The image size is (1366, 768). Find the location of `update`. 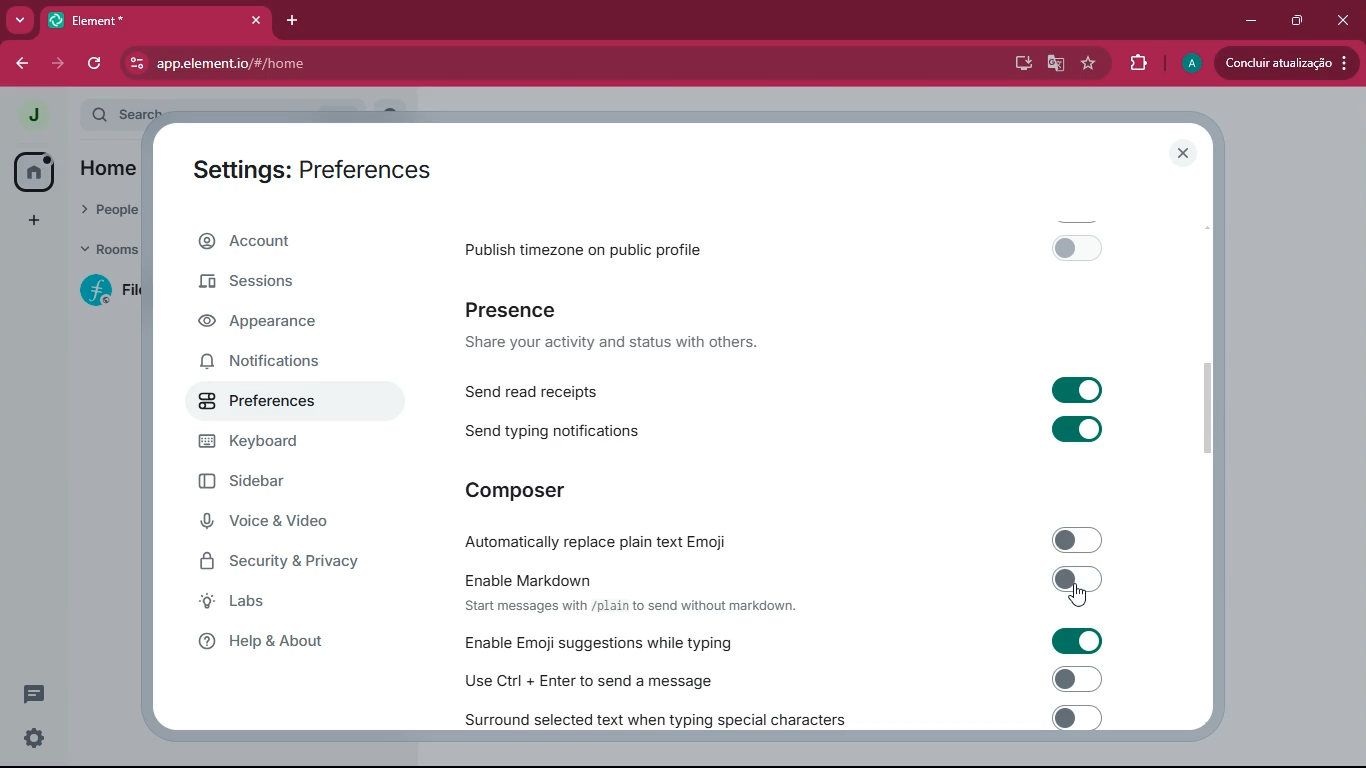

update is located at coordinates (1283, 63).